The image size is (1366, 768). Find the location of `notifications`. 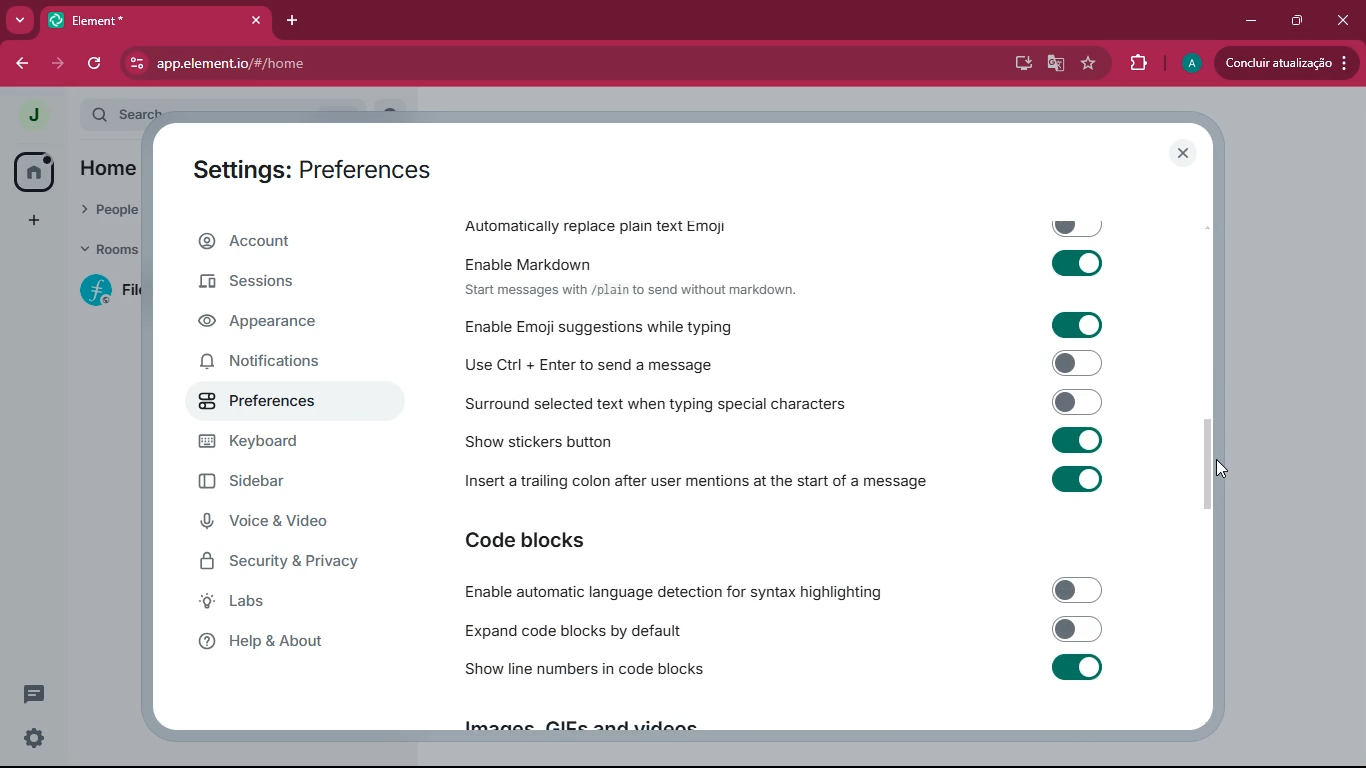

notifications is located at coordinates (283, 364).